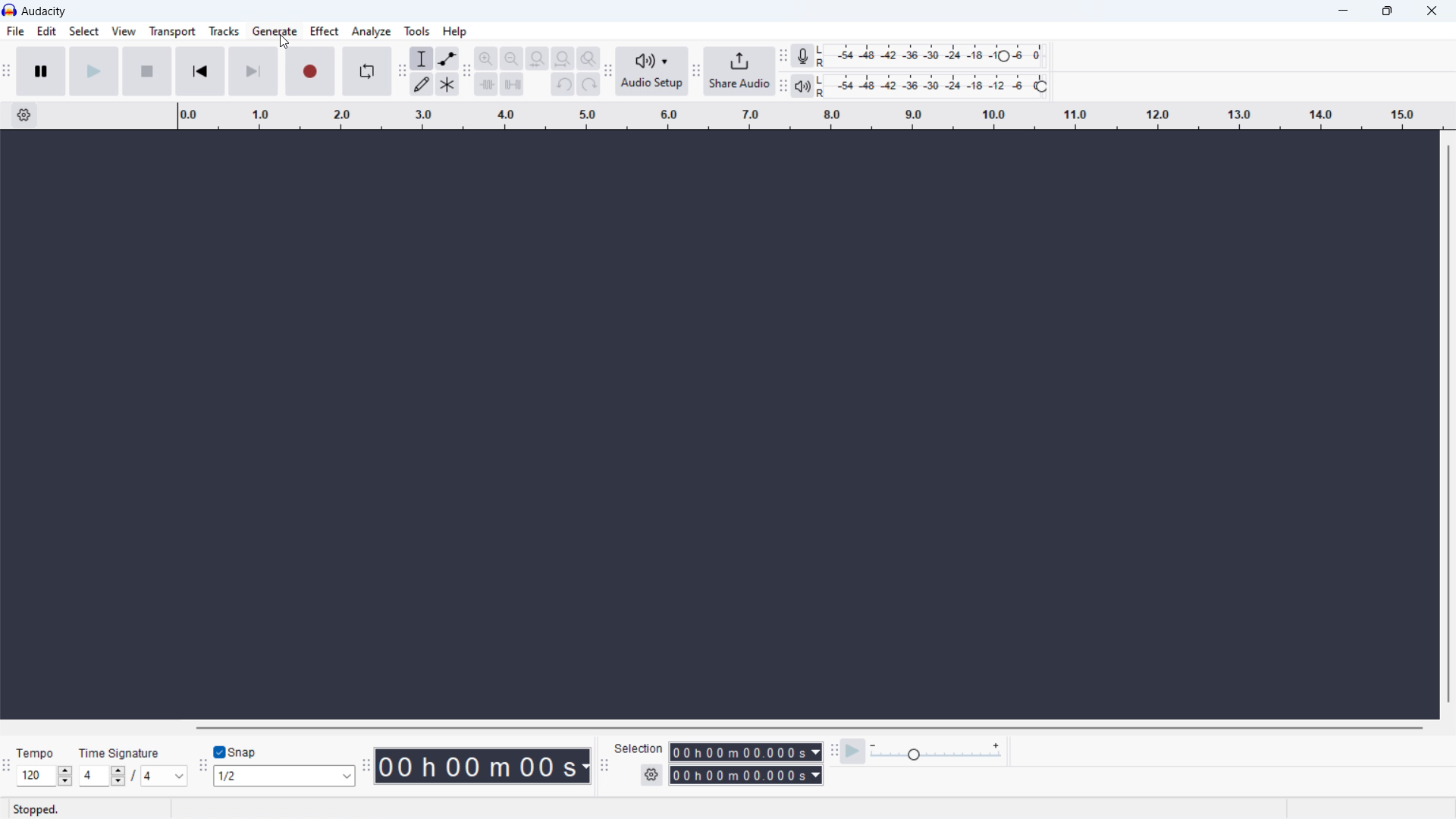 The image size is (1456, 819). Describe the element at coordinates (1385, 11) in the screenshot. I see `maximize` at that location.